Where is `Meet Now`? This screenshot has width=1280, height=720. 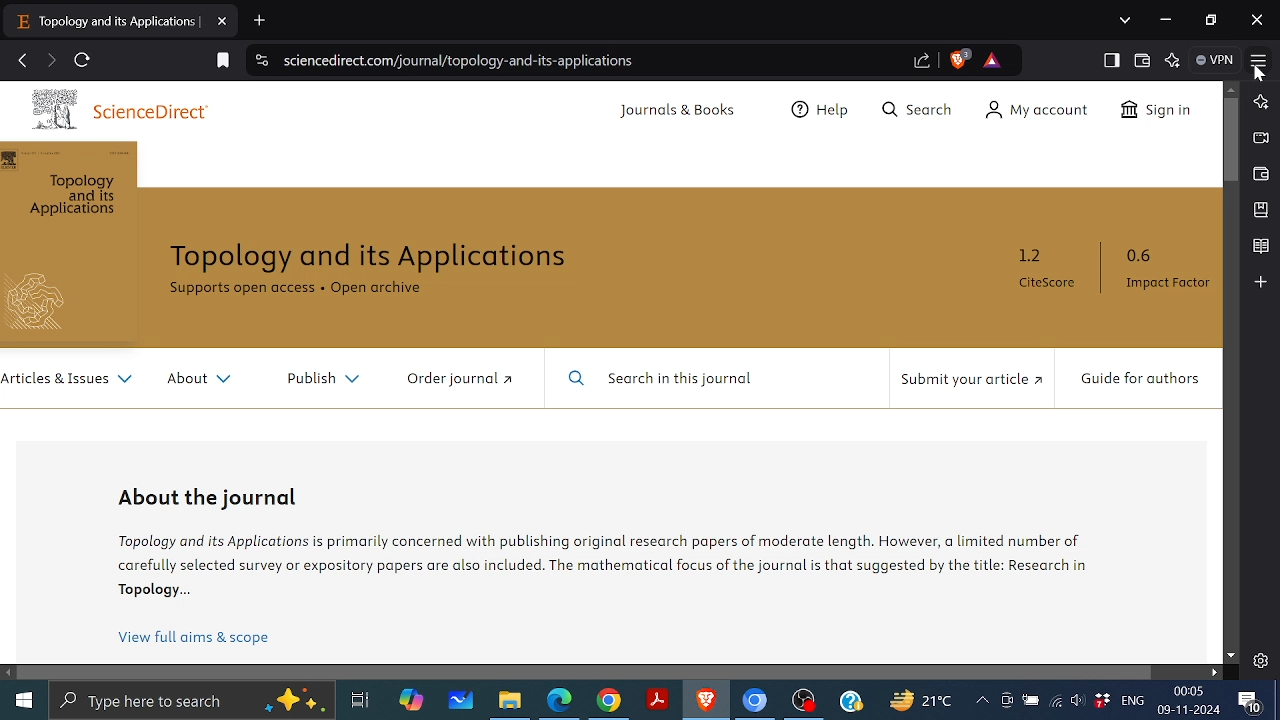
Meet Now is located at coordinates (1006, 699).